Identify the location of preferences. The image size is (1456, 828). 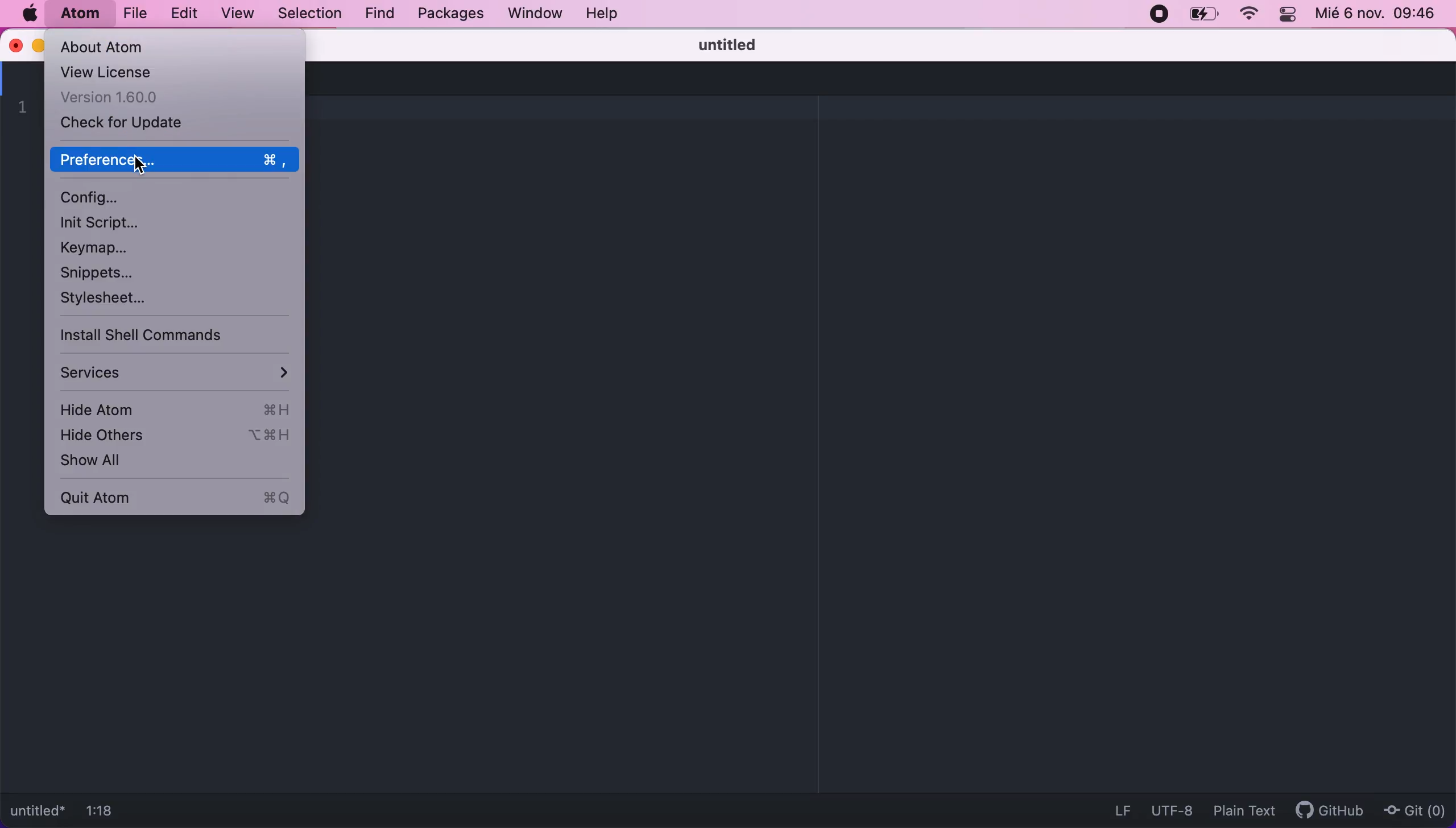
(179, 160).